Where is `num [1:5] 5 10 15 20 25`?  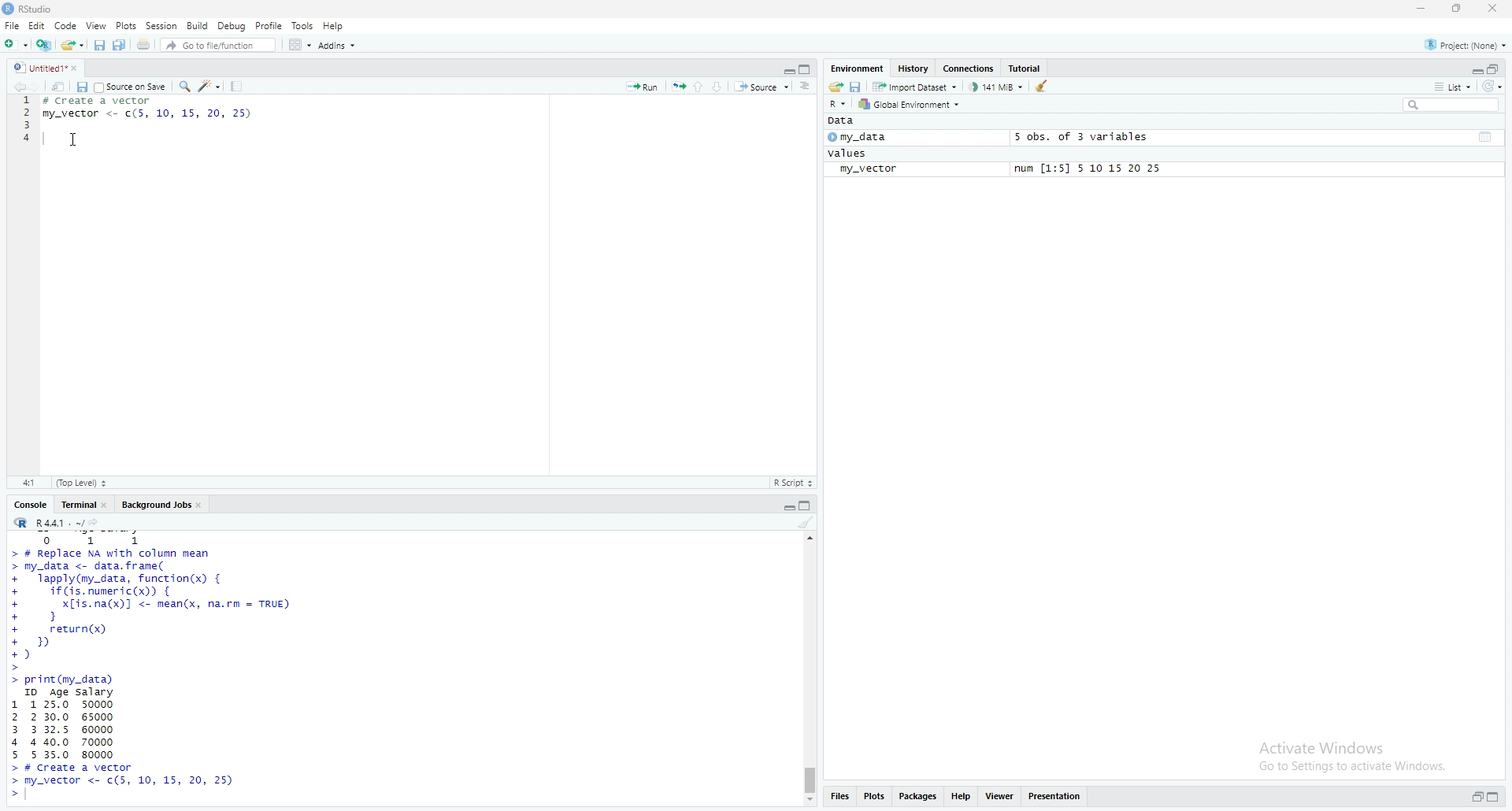
num [1:5] 5 10 15 20 25 is located at coordinates (1091, 169).